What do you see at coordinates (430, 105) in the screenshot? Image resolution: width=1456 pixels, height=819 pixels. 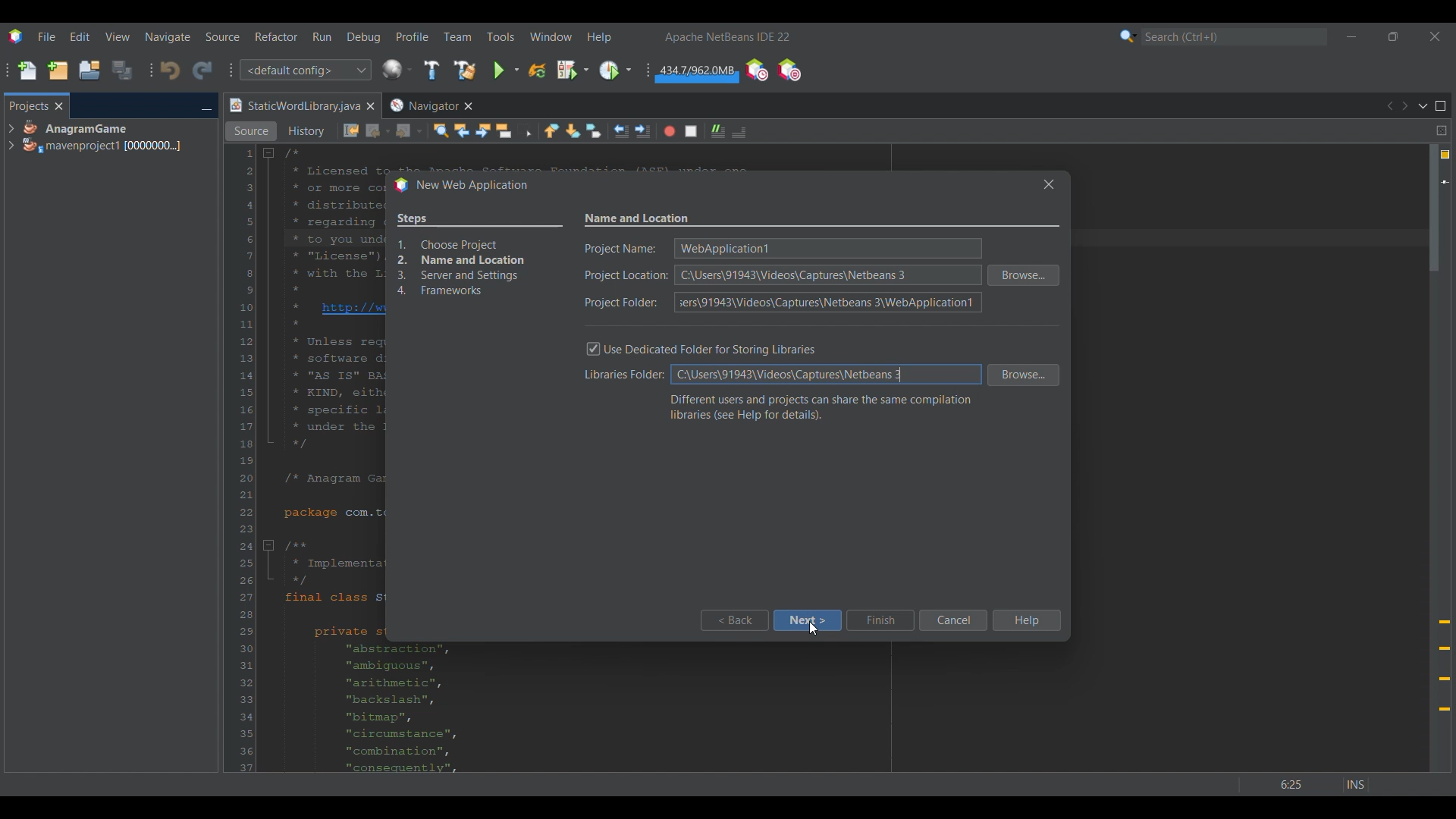 I see `Other tab` at bounding box center [430, 105].